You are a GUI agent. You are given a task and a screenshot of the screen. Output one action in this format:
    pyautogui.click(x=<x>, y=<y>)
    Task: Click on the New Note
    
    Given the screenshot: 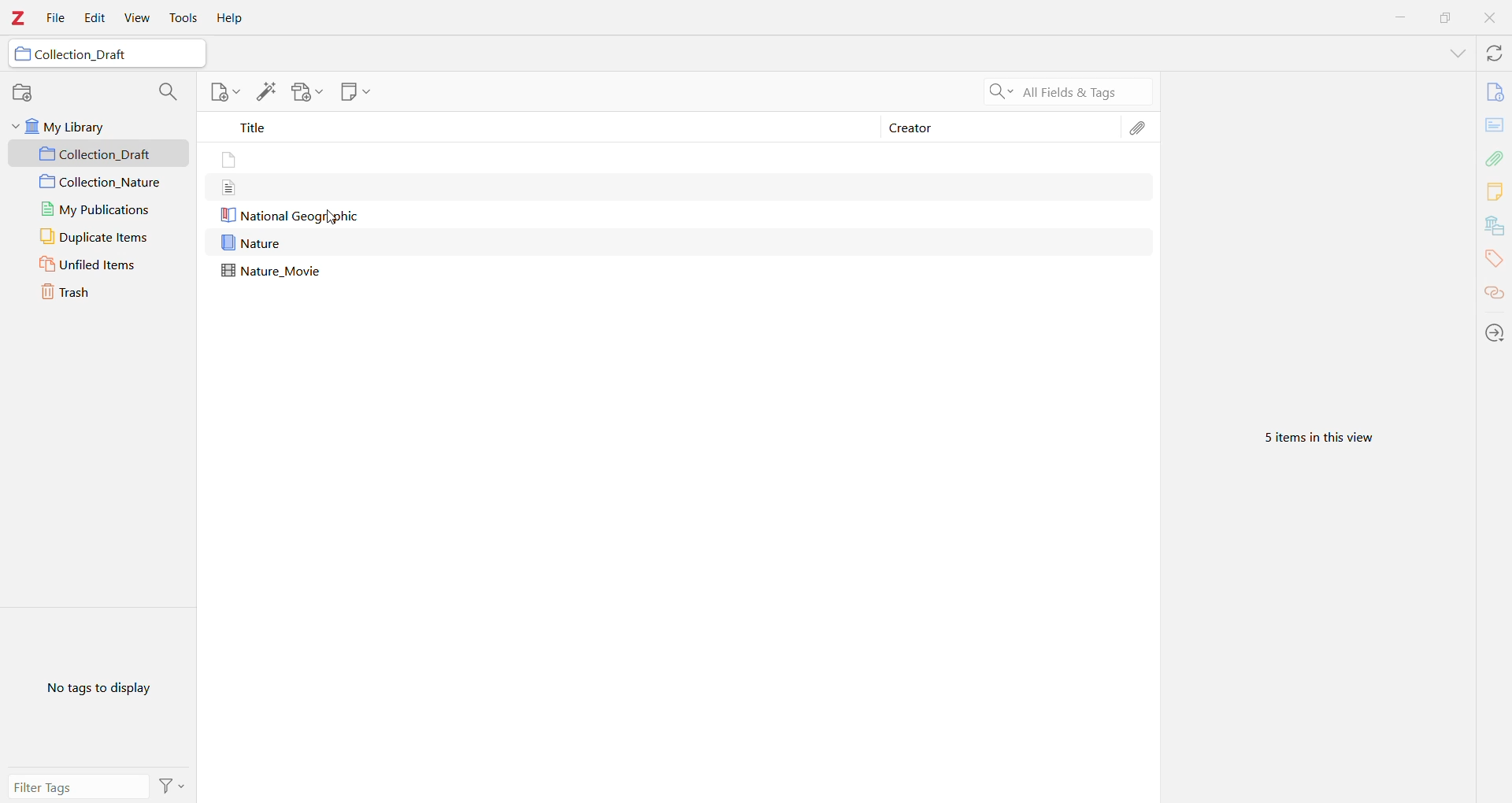 What is the action you would take?
    pyautogui.click(x=355, y=92)
    